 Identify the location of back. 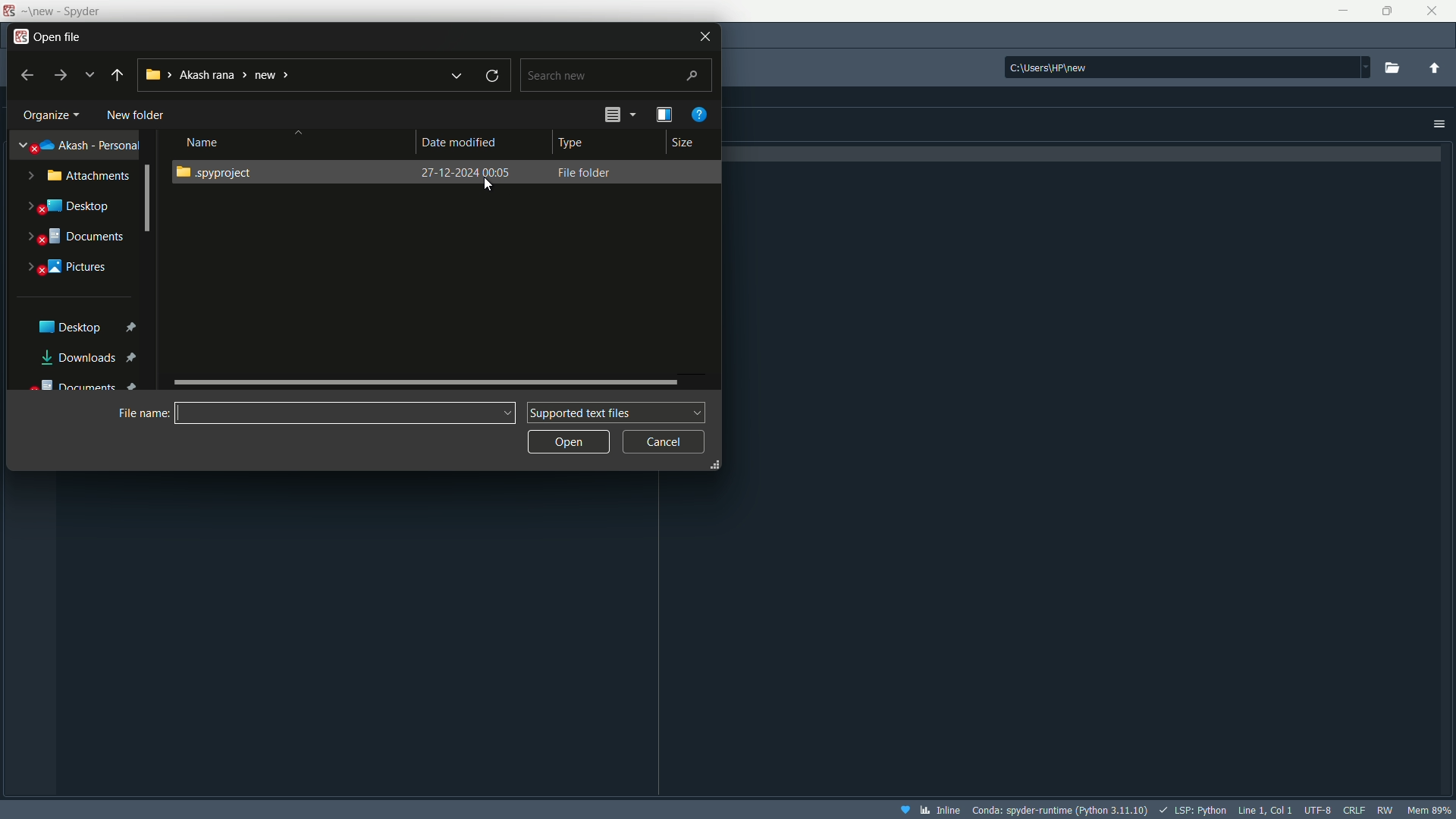
(118, 76).